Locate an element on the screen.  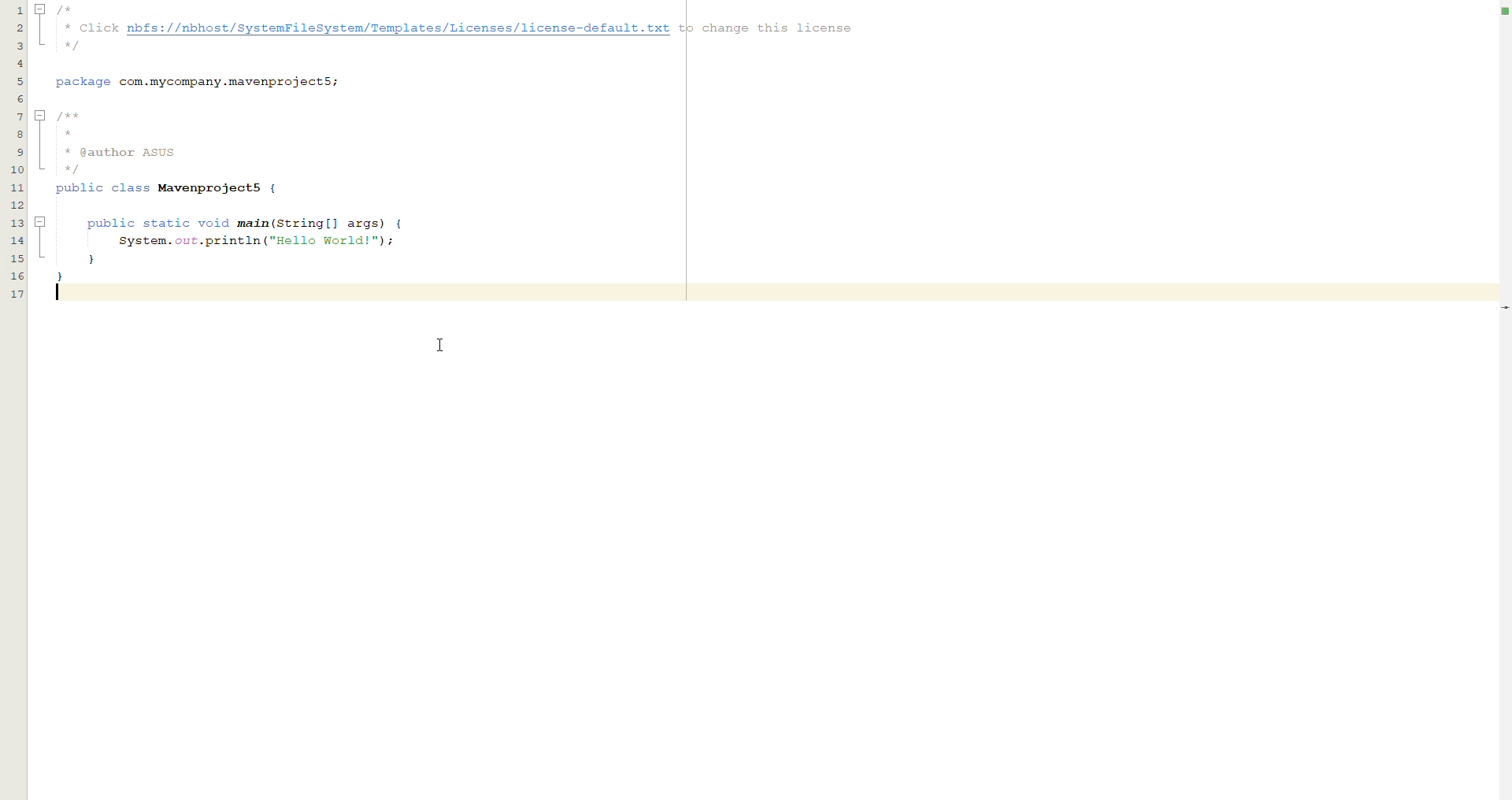
CURSOR is located at coordinates (439, 347).